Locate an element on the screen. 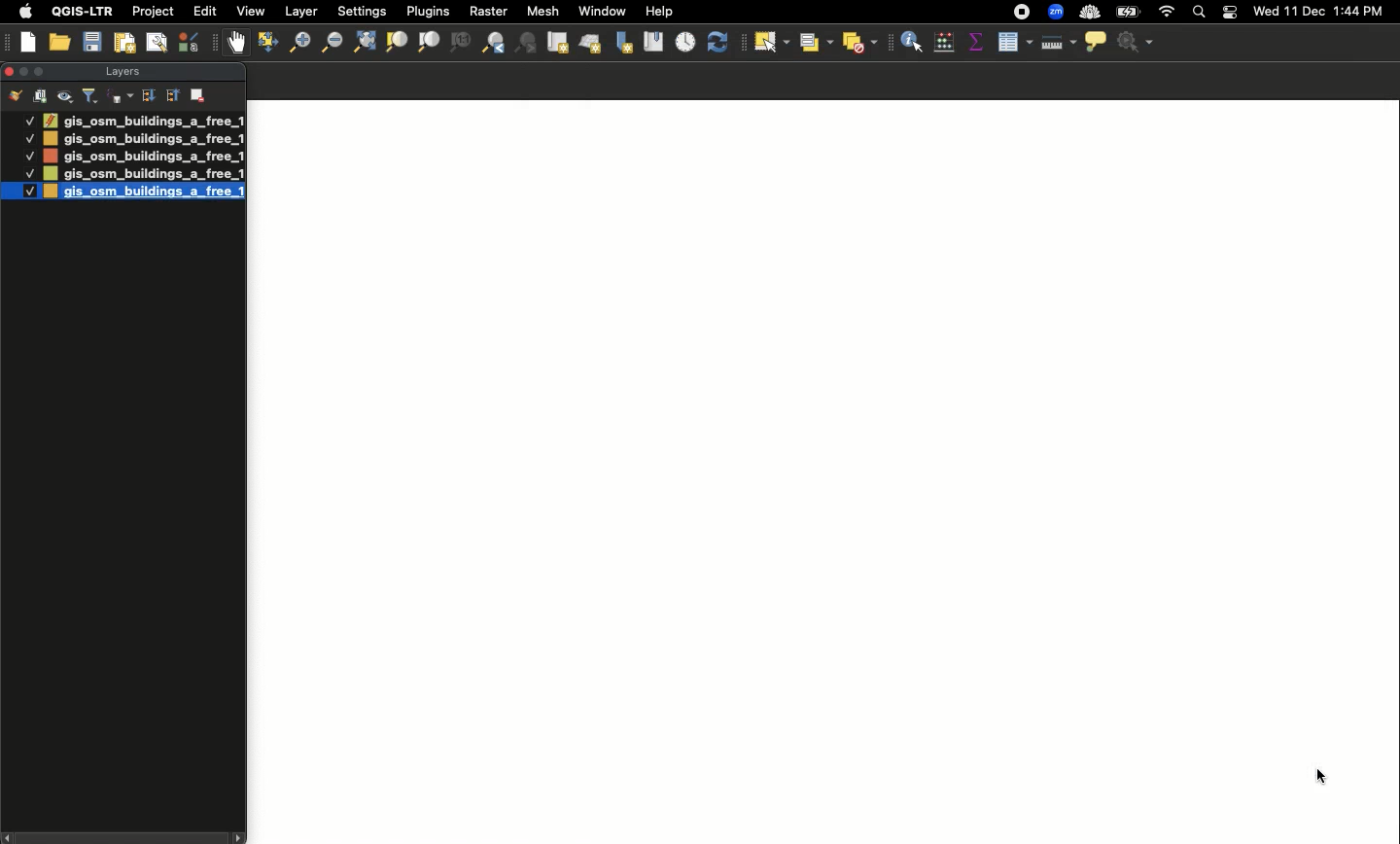 The height and width of the screenshot is (844, 1400). Notification is located at coordinates (1227, 13).